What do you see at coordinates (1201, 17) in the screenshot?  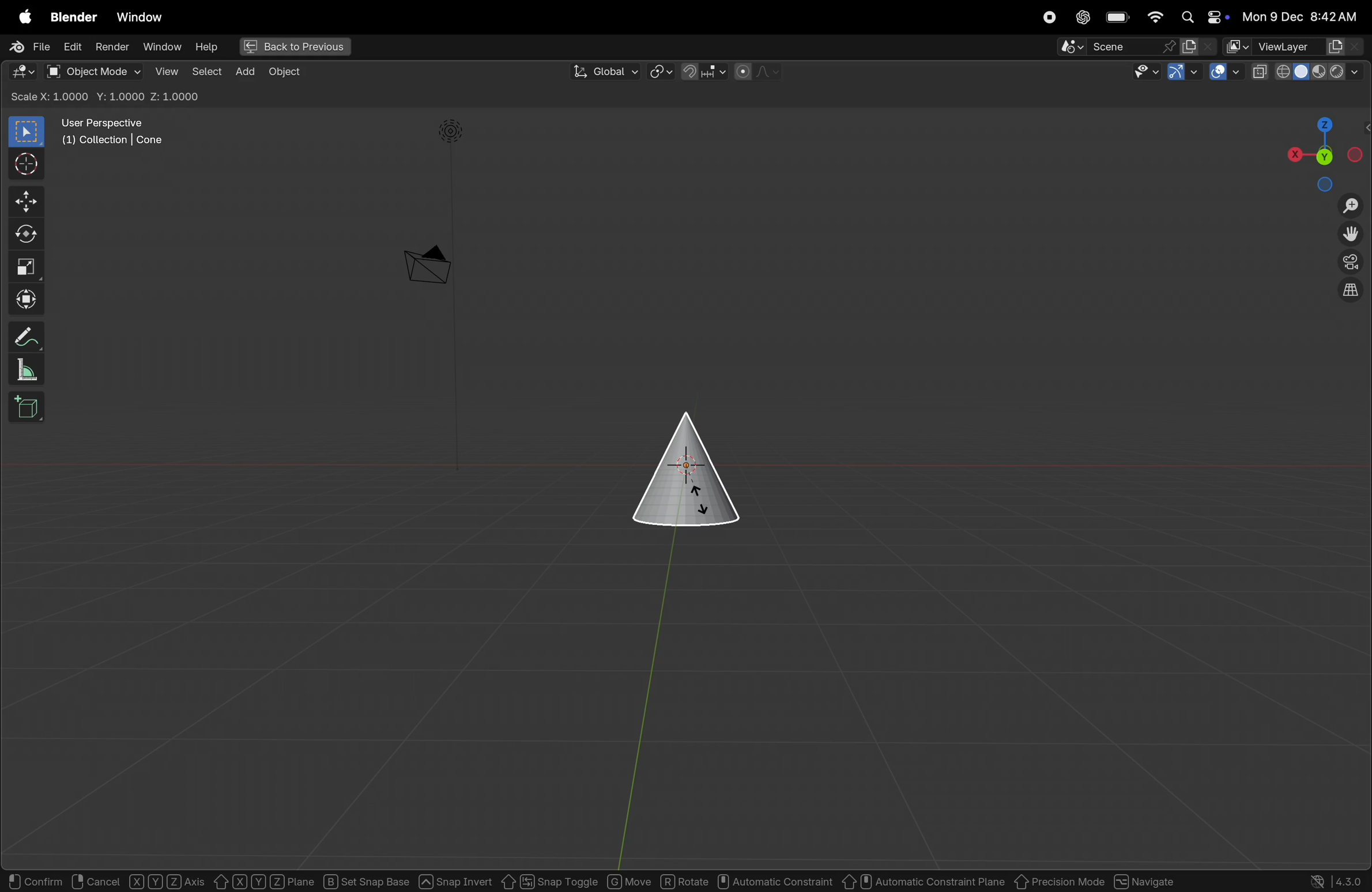 I see `apple widgets` at bounding box center [1201, 17].